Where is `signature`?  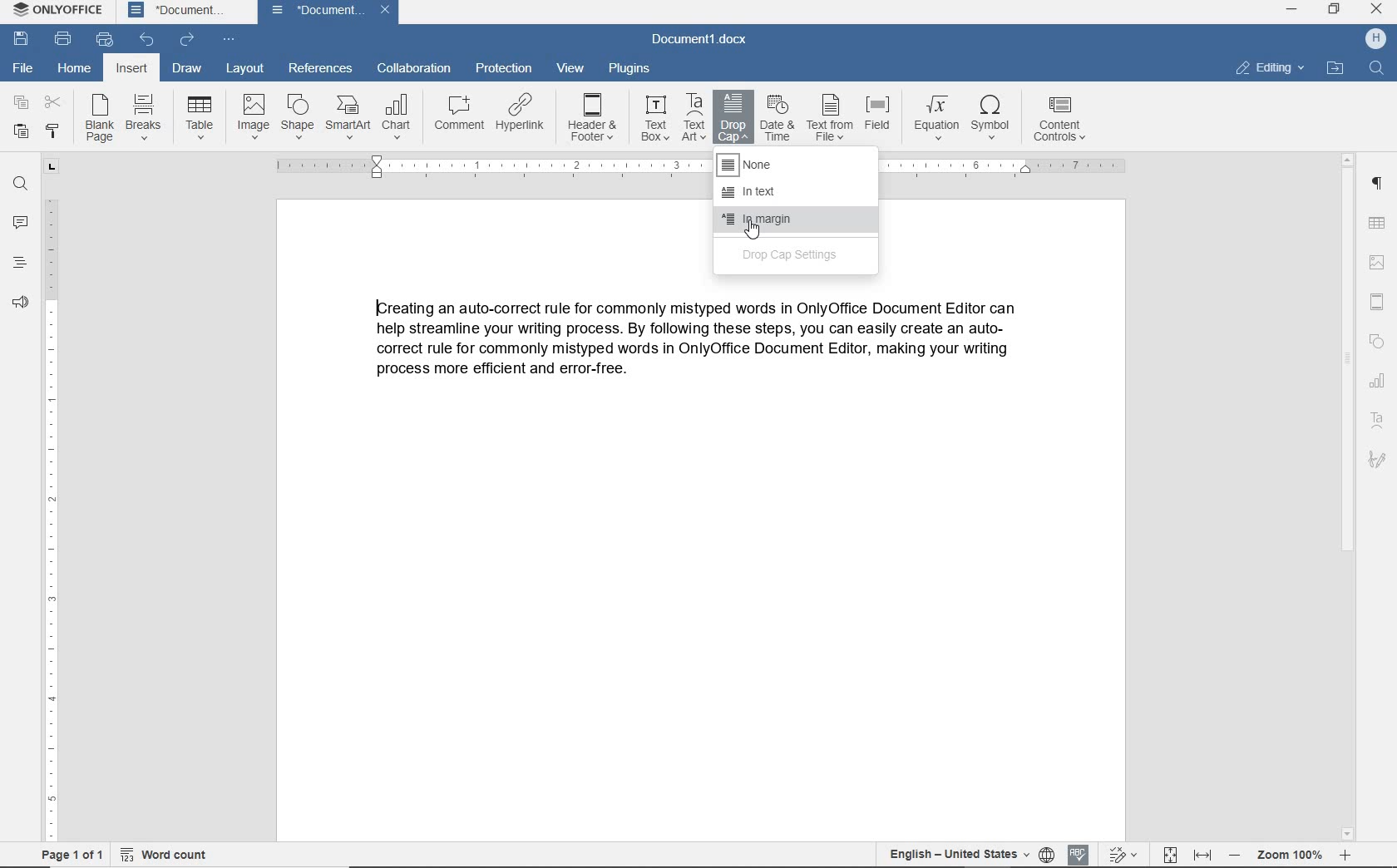 signature is located at coordinates (1379, 460).